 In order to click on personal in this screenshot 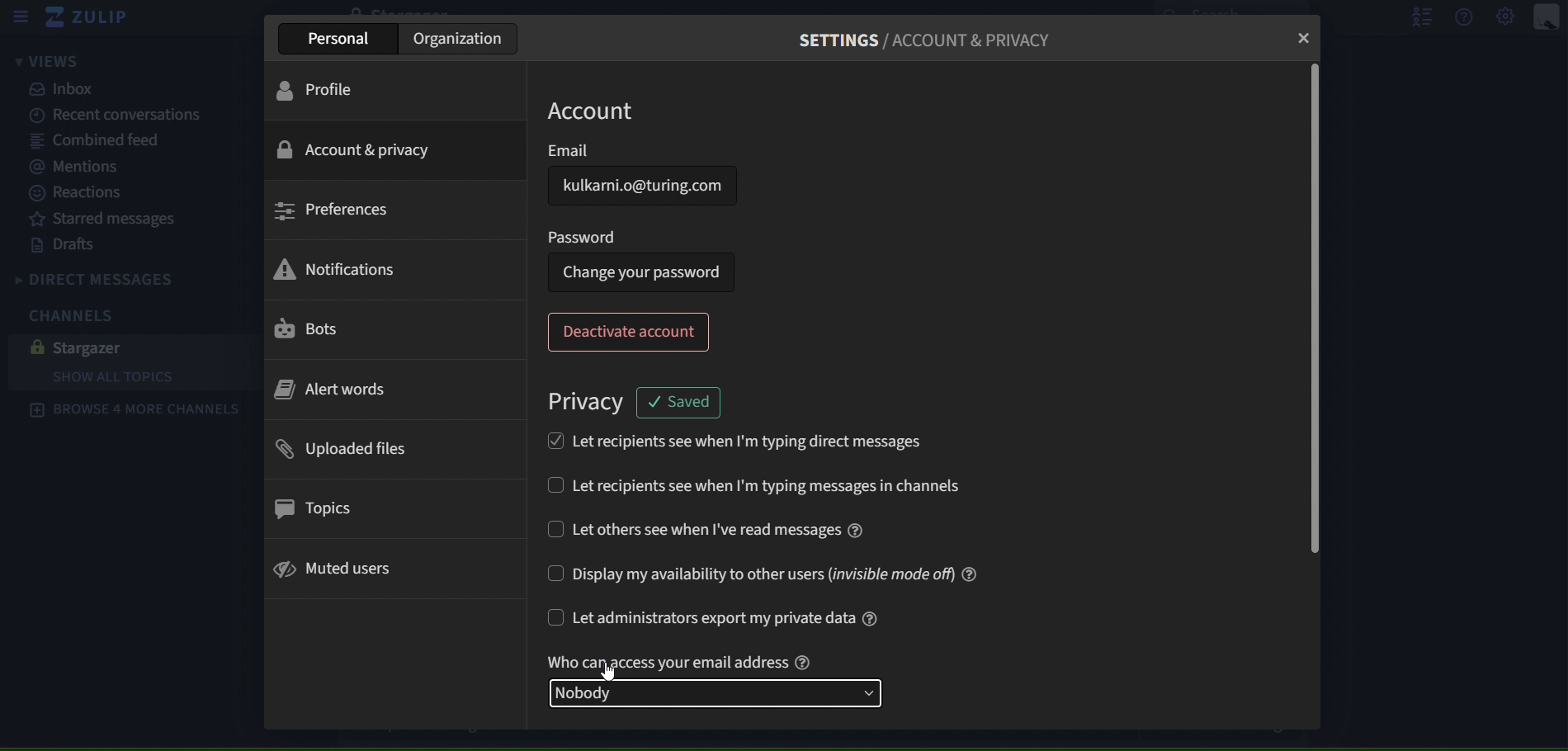, I will do `click(343, 38)`.